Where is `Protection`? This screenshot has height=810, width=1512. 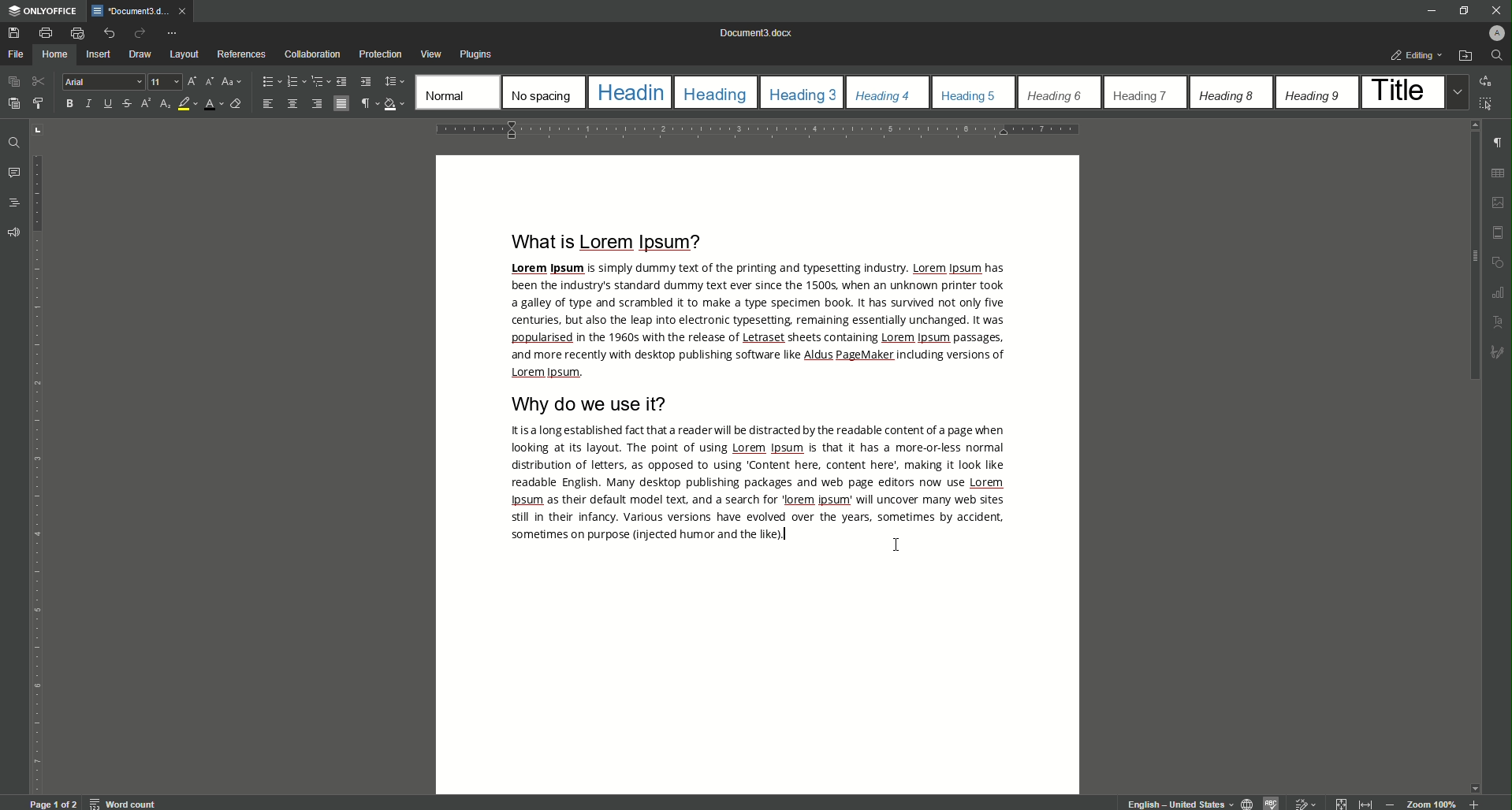 Protection is located at coordinates (380, 54).